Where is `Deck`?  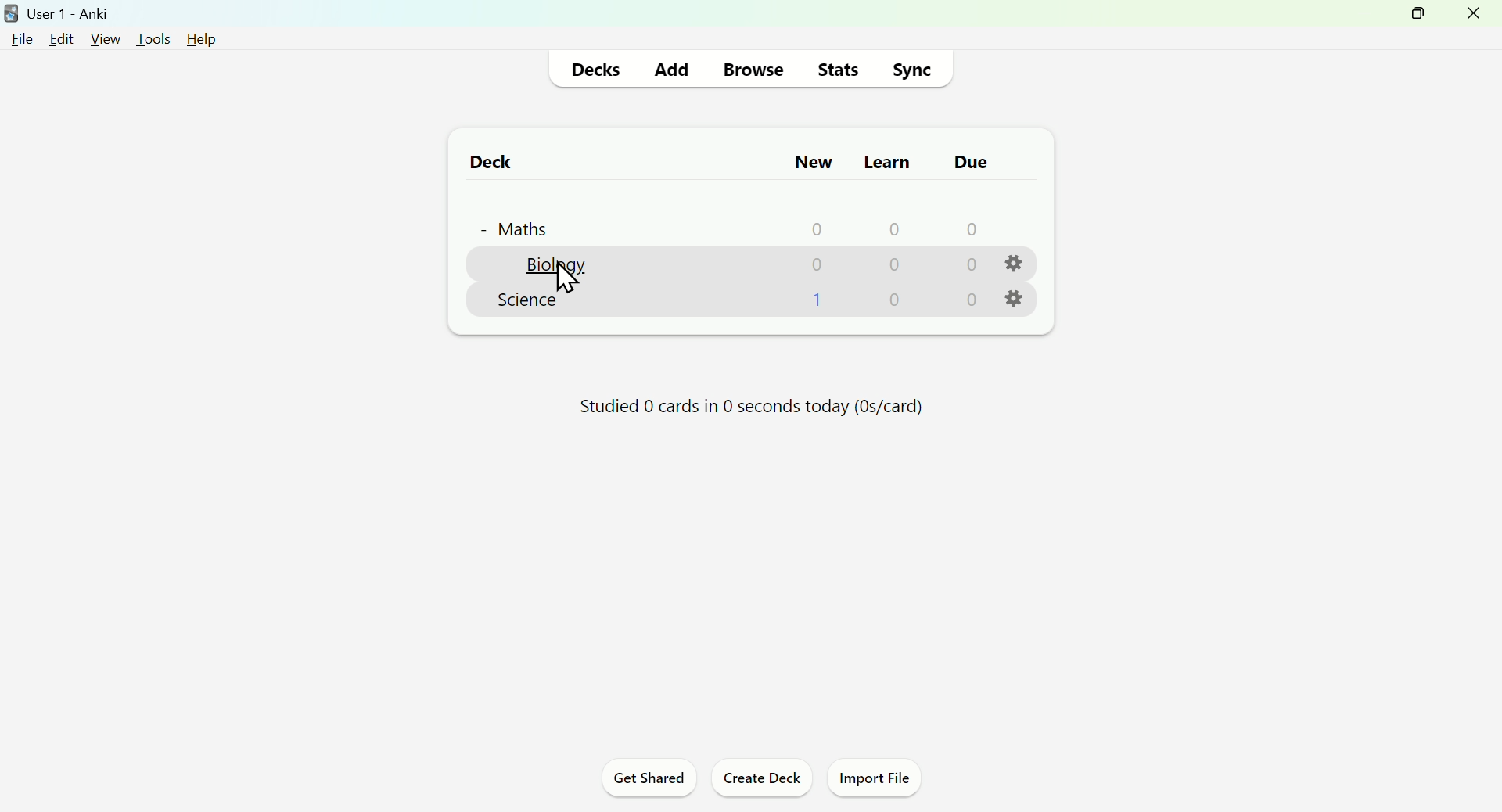
Deck is located at coordinates (490, 164).